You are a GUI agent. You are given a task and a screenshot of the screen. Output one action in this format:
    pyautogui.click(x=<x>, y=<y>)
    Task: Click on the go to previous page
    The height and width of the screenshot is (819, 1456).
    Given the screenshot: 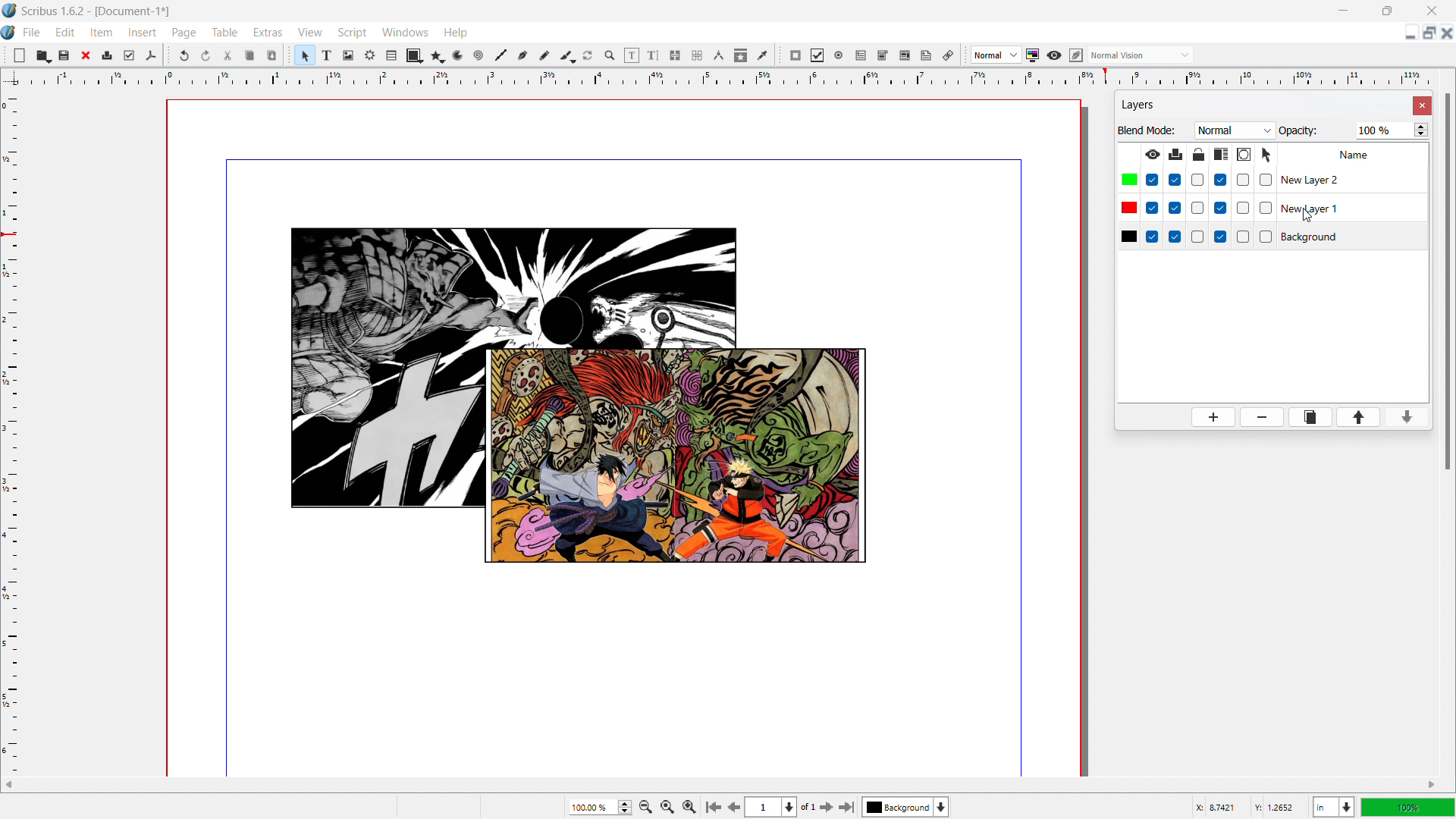 What is the action you would take?
    pyautogui.click(x=734, y=805)
    